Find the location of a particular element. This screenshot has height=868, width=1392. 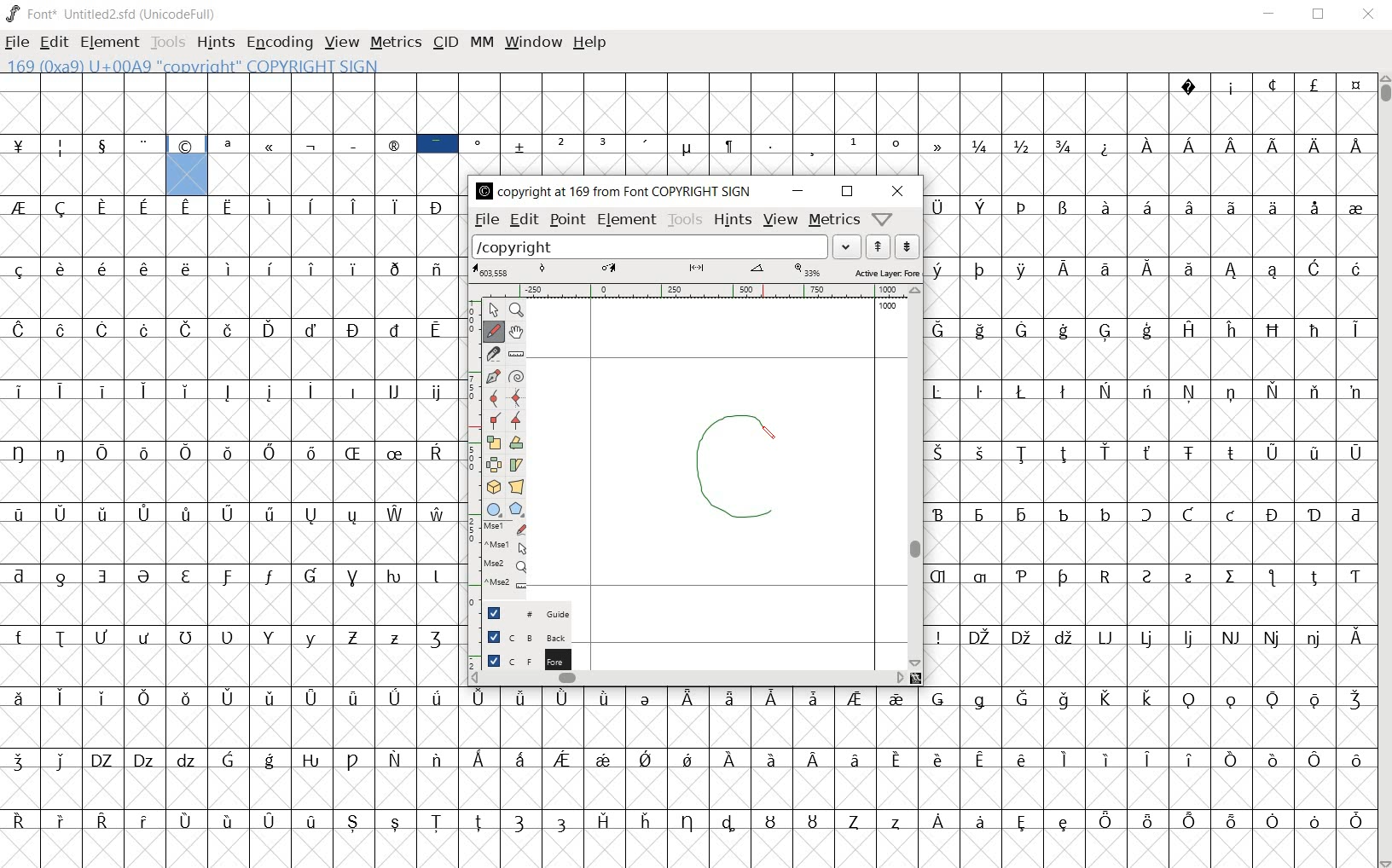

draw a freehand curve is located at coordinates (493, 331).